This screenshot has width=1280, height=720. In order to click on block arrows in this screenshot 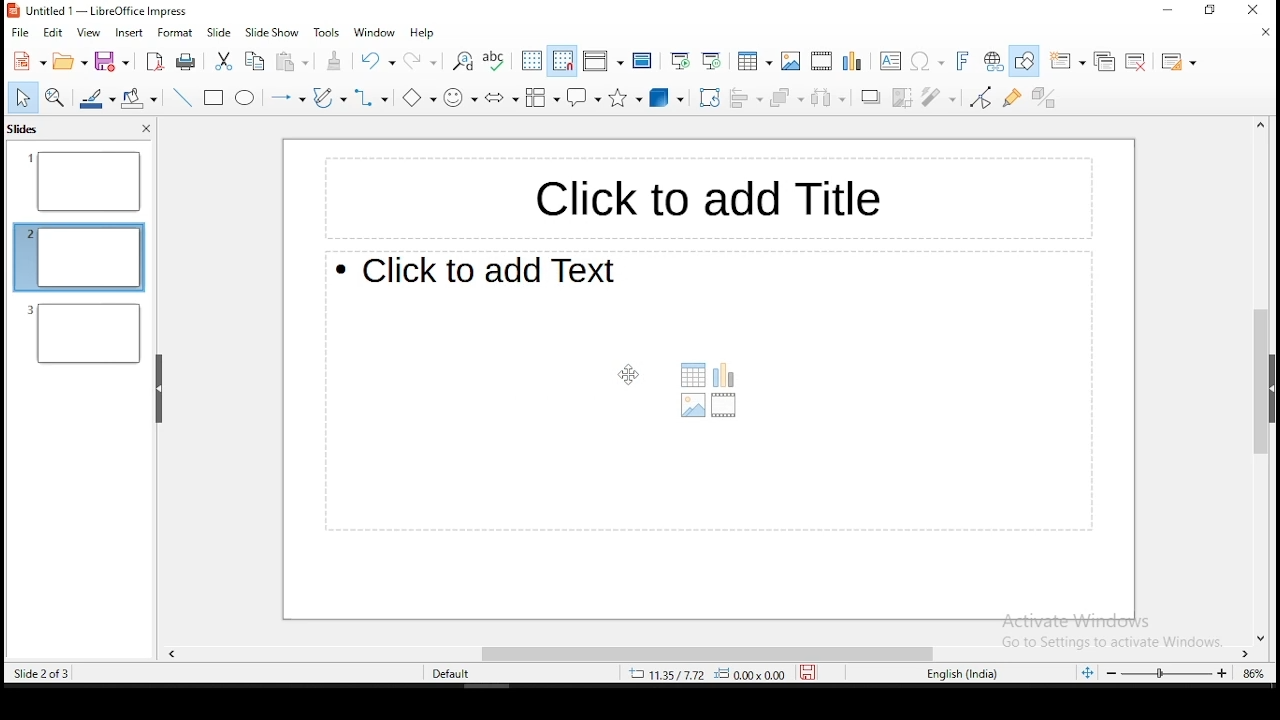, I will do `click(500, 97)`.